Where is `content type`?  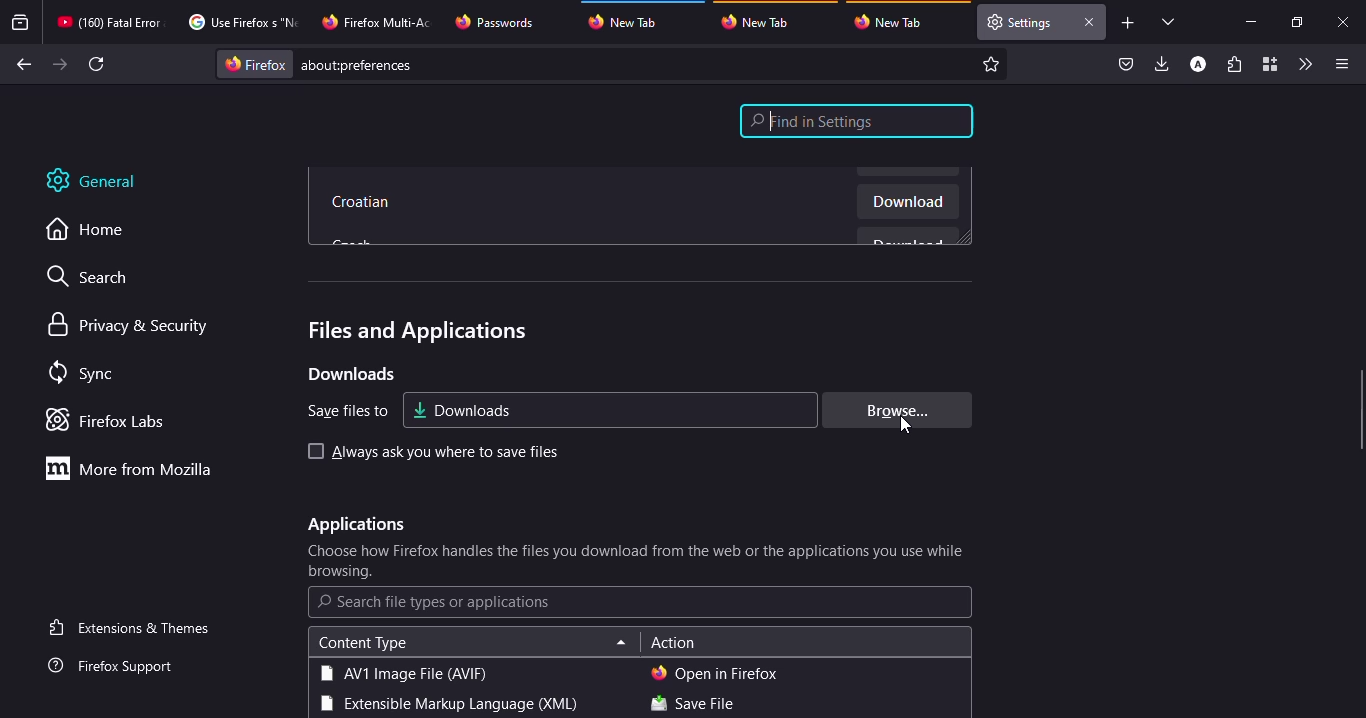 content type is located at coordinates (362, 643).